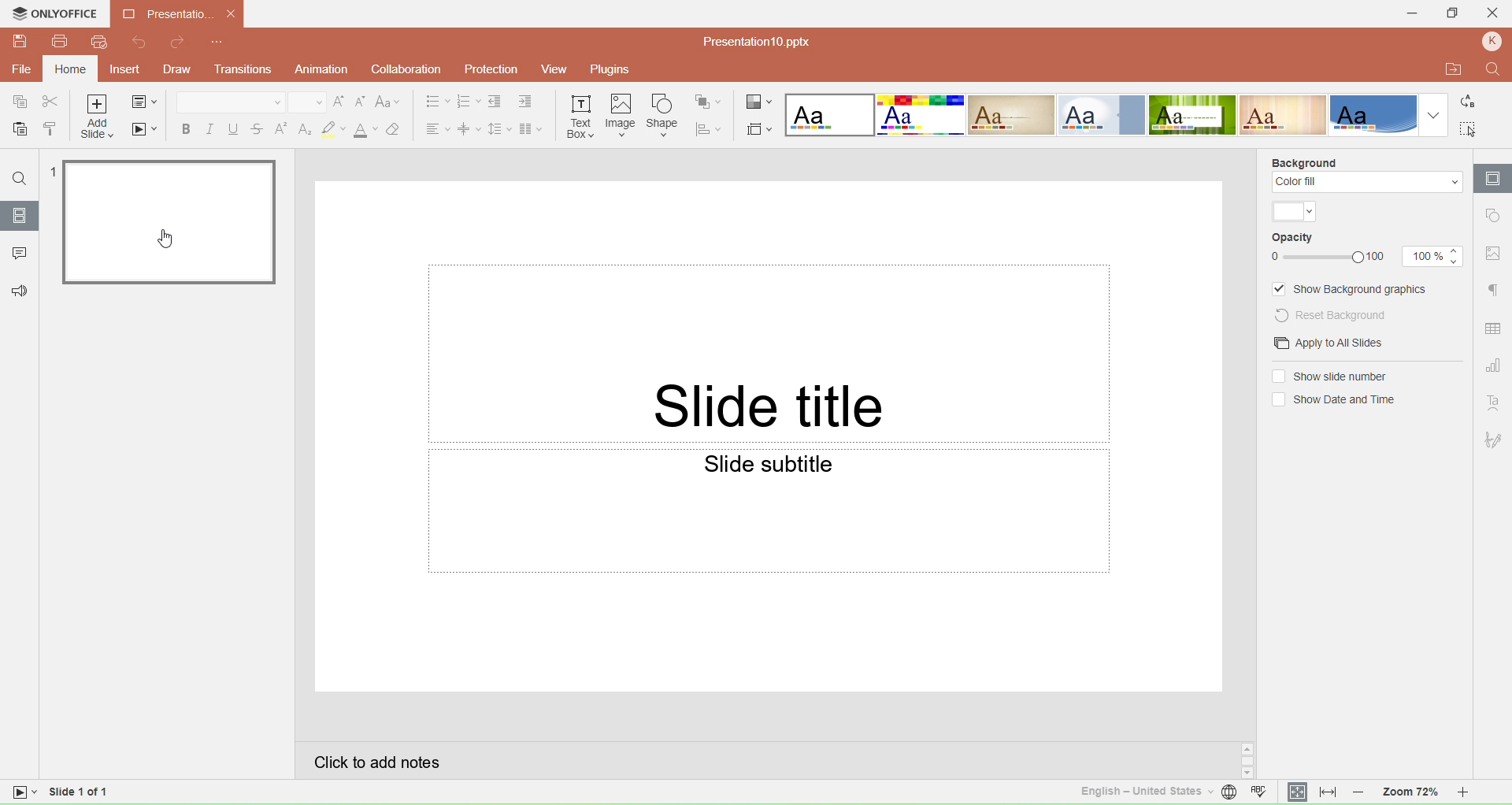  Describe the element at coordinates (1101, 115) in the screenshot. I see `Official` at that location.